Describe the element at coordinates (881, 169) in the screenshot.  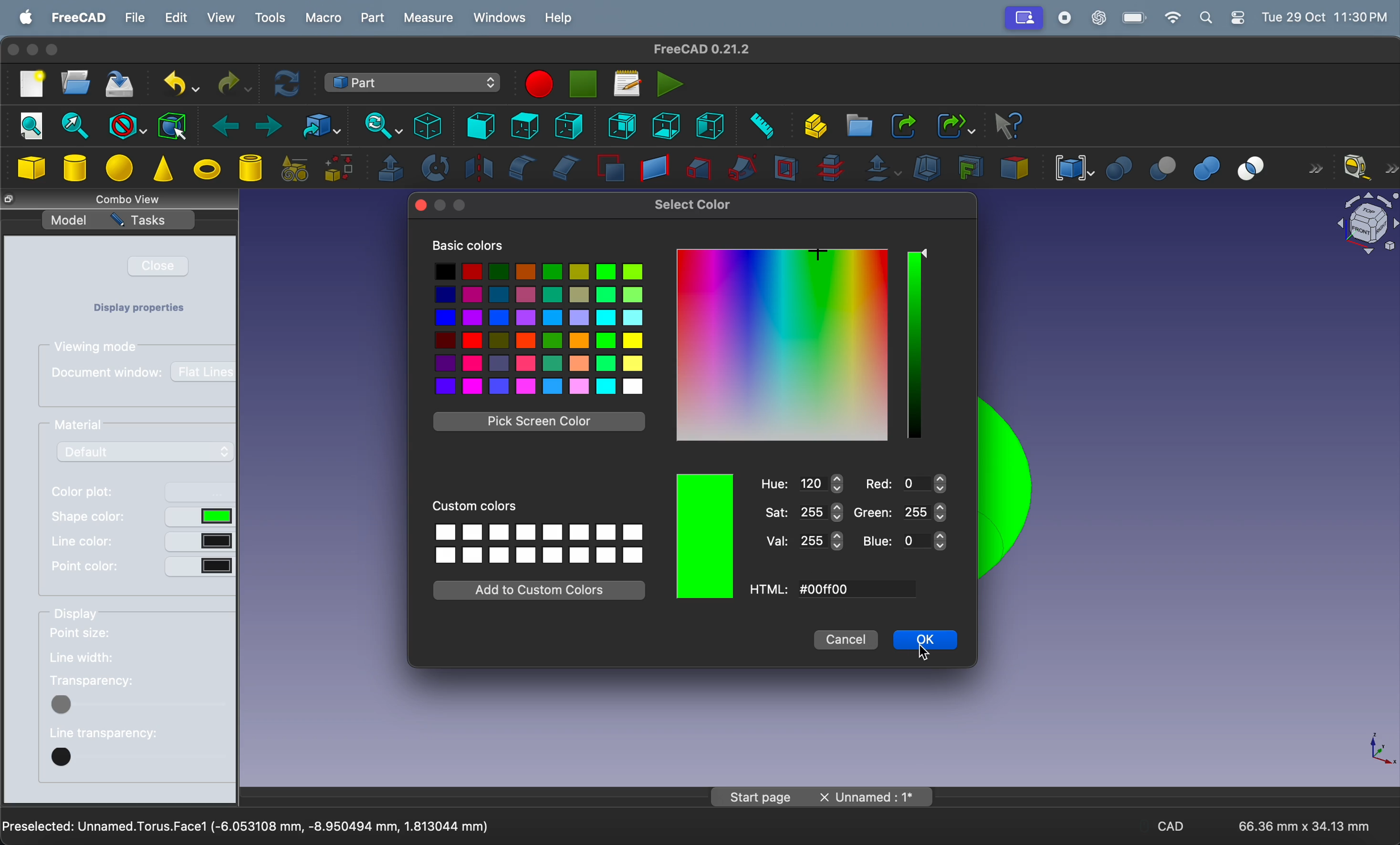
I see `offset` at that location.